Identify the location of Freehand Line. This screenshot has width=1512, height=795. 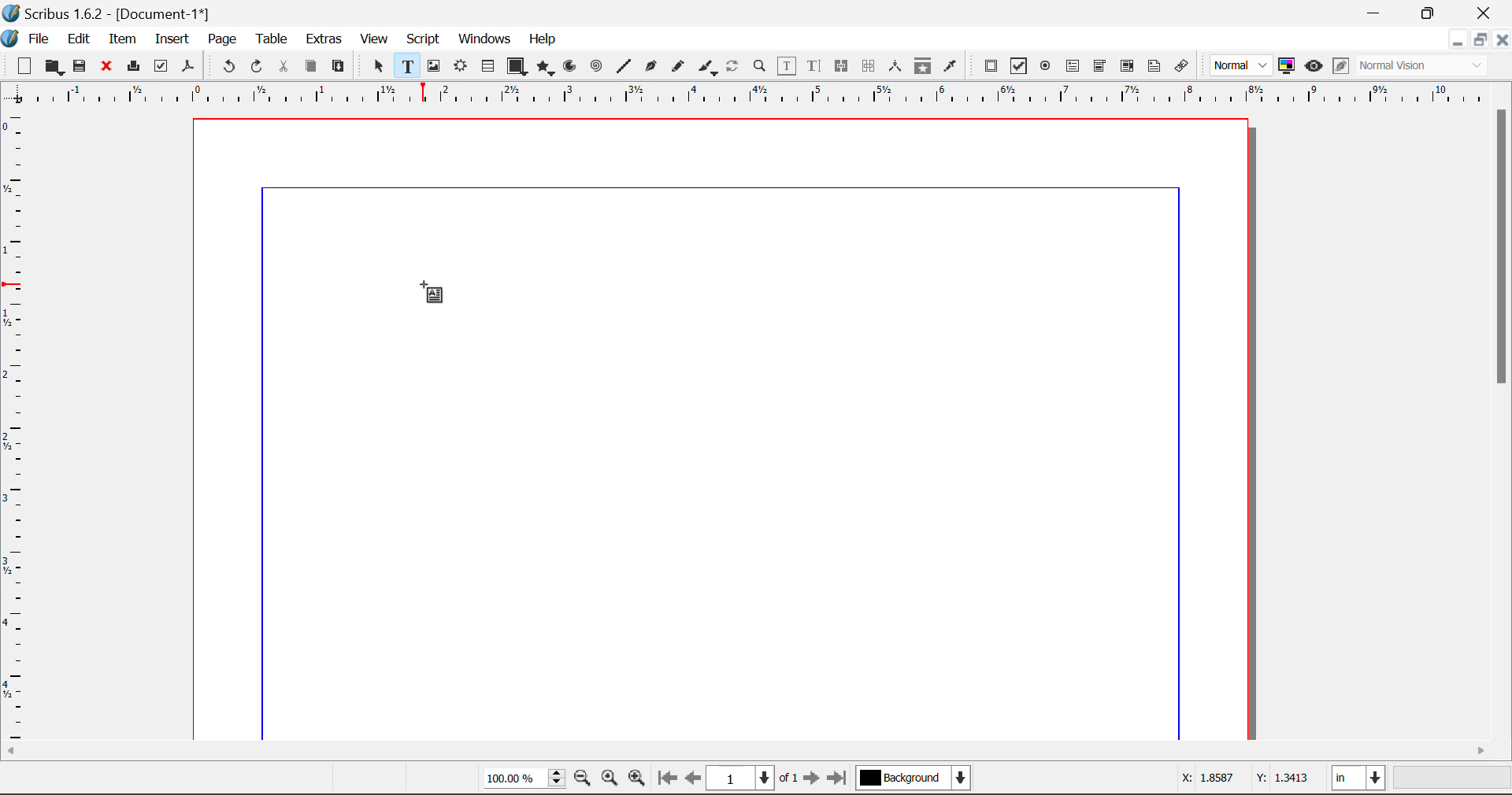
(676, 67).